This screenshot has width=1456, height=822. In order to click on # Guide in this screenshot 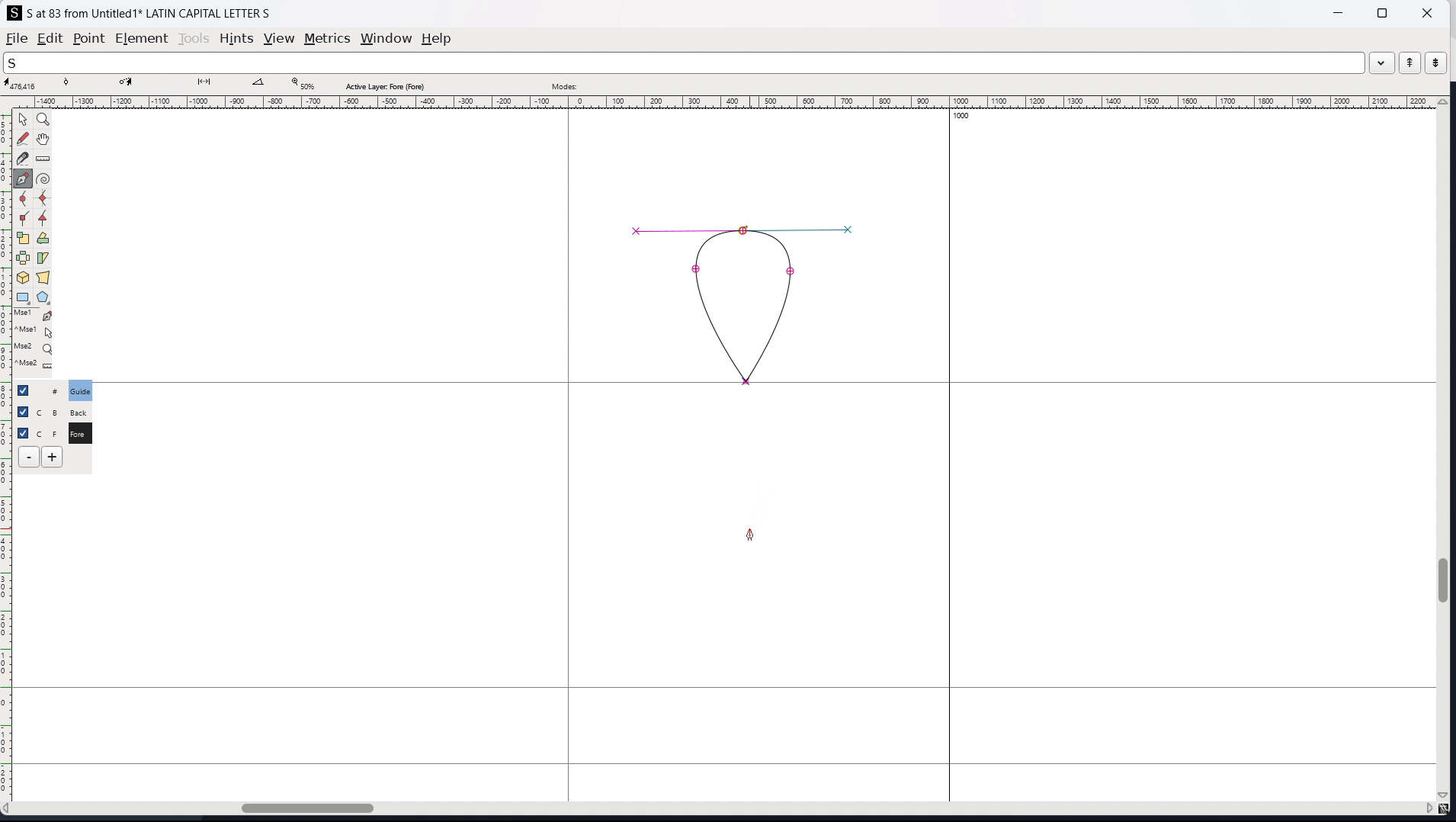, I will do `click(82, 390)`.